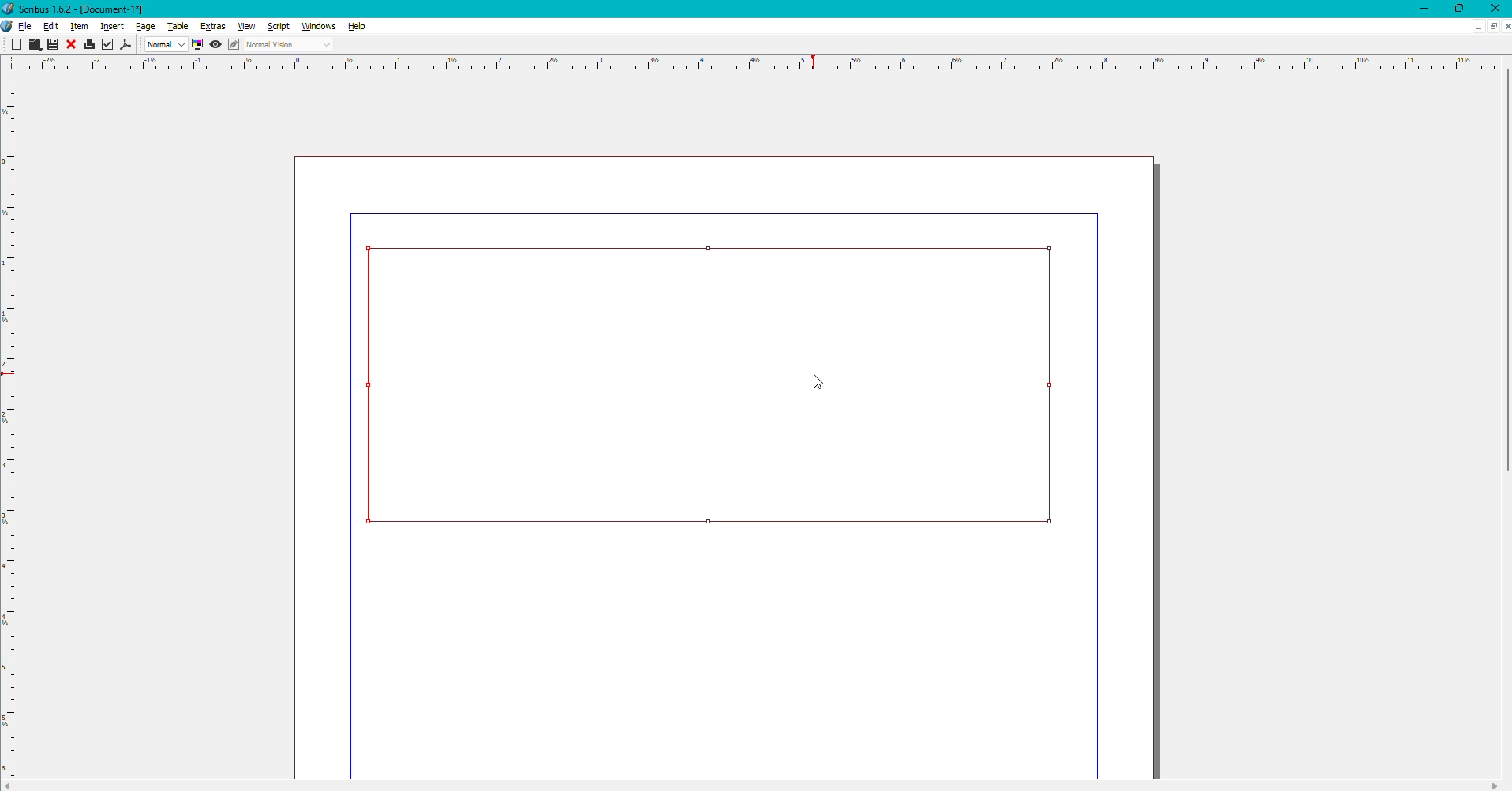  Describe the element at coordinates (214, 47) in the screenshot. I see `View` at that location.